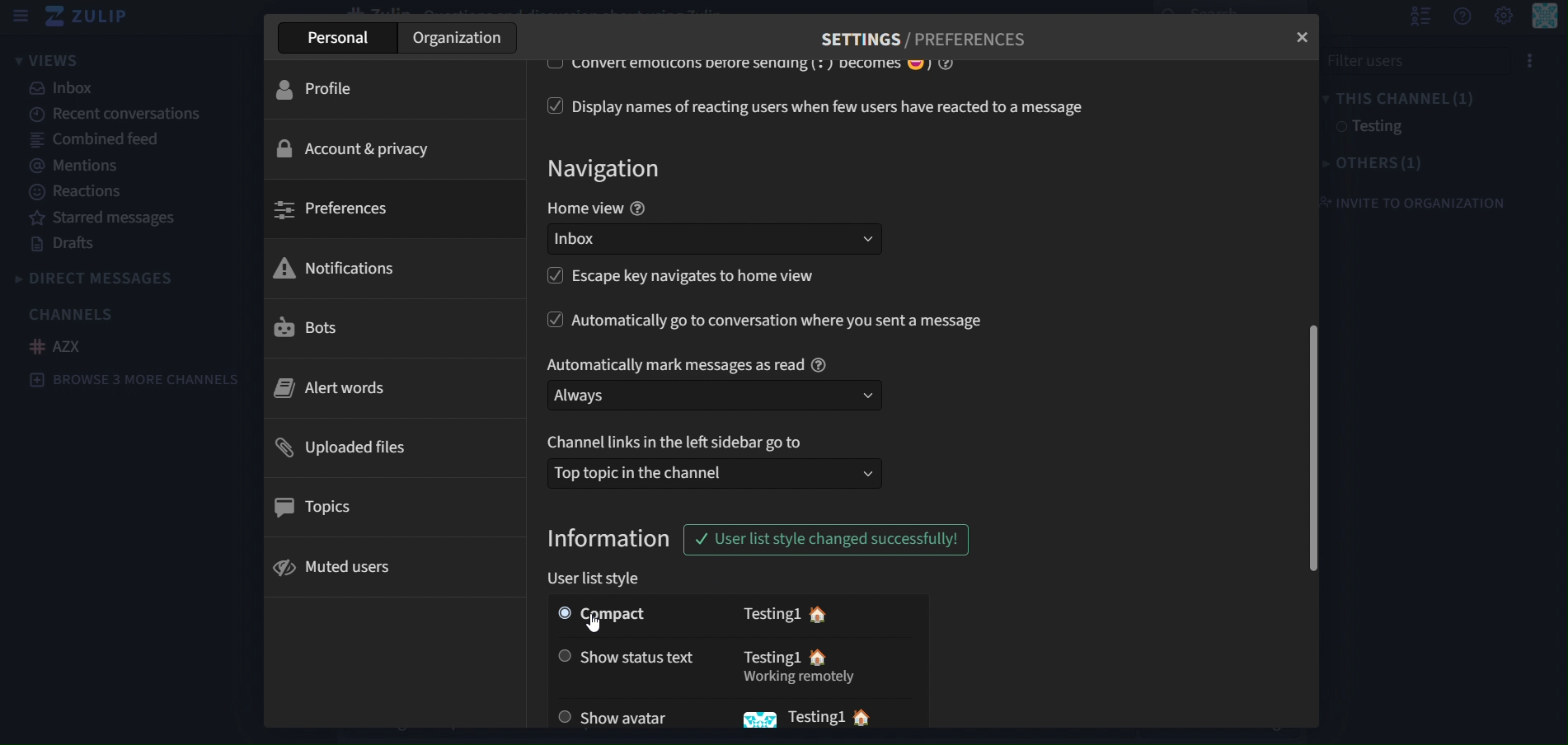  I want to click on alert words, so click(336, 387).